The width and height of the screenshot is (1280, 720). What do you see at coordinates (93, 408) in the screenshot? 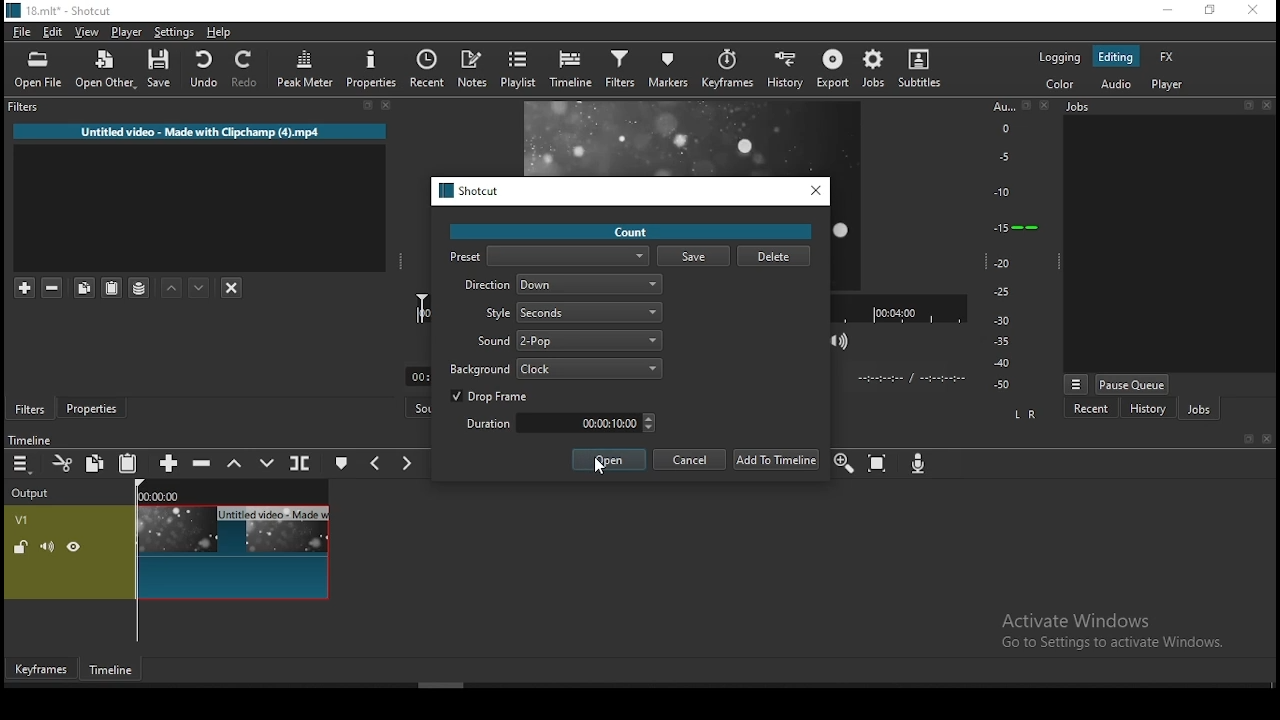
I see `` at bounding box center [93, 408].